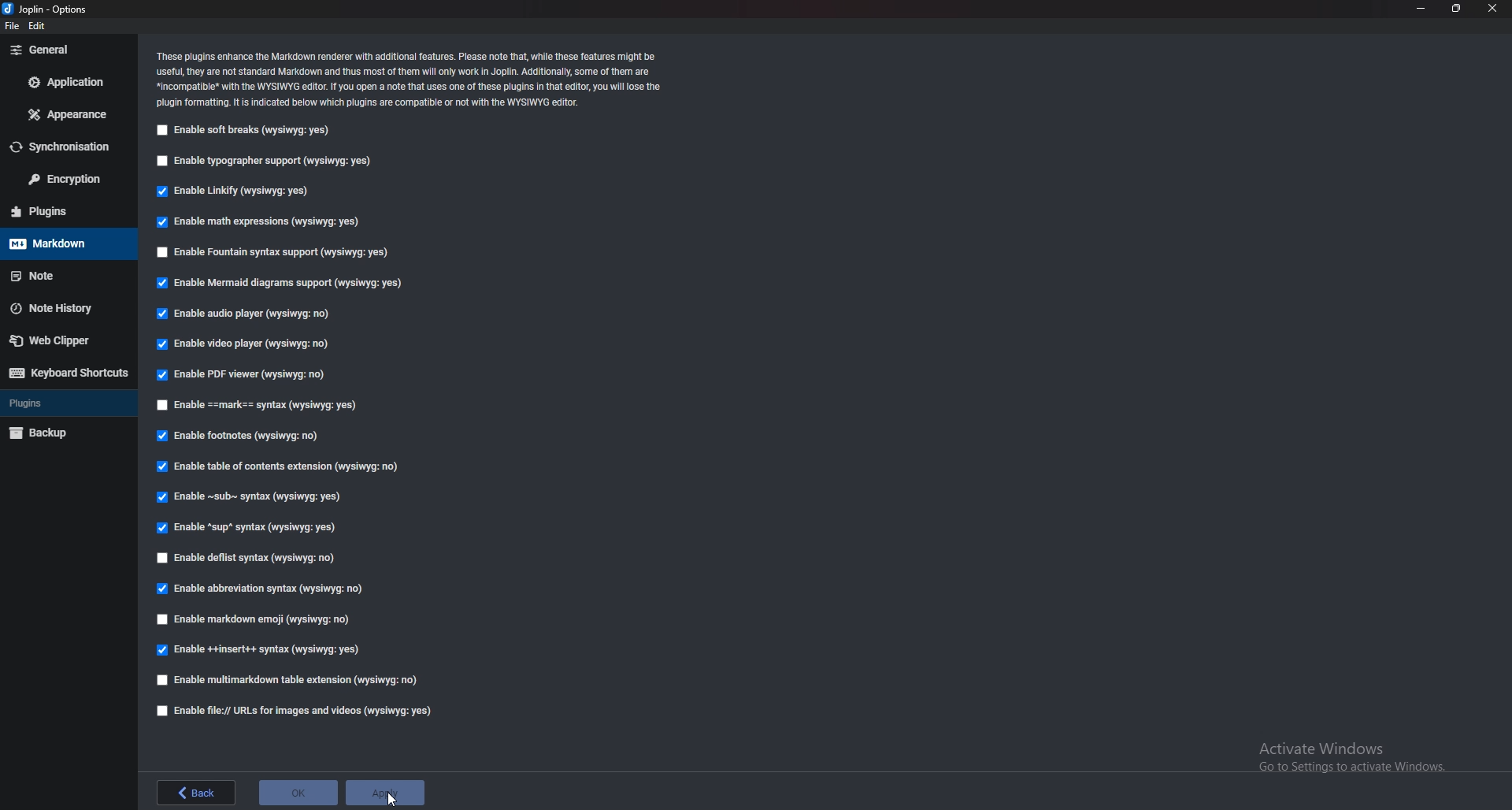  Describe the element at coordinates (250, 496) in the screenshot. I see `Enable sub syntax` at that location.